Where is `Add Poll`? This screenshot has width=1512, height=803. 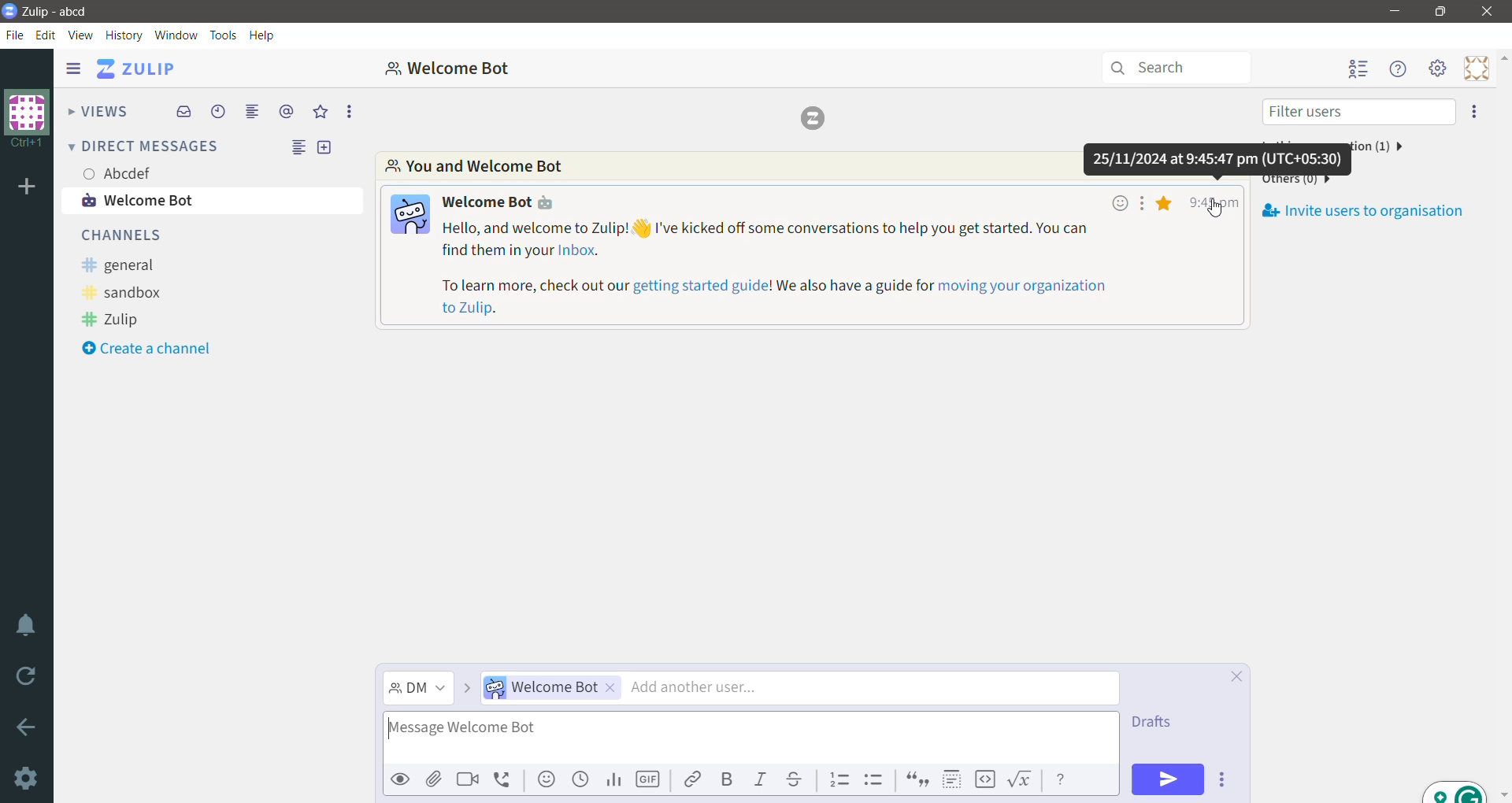 Add Poll is located at coordinates (613, 781).